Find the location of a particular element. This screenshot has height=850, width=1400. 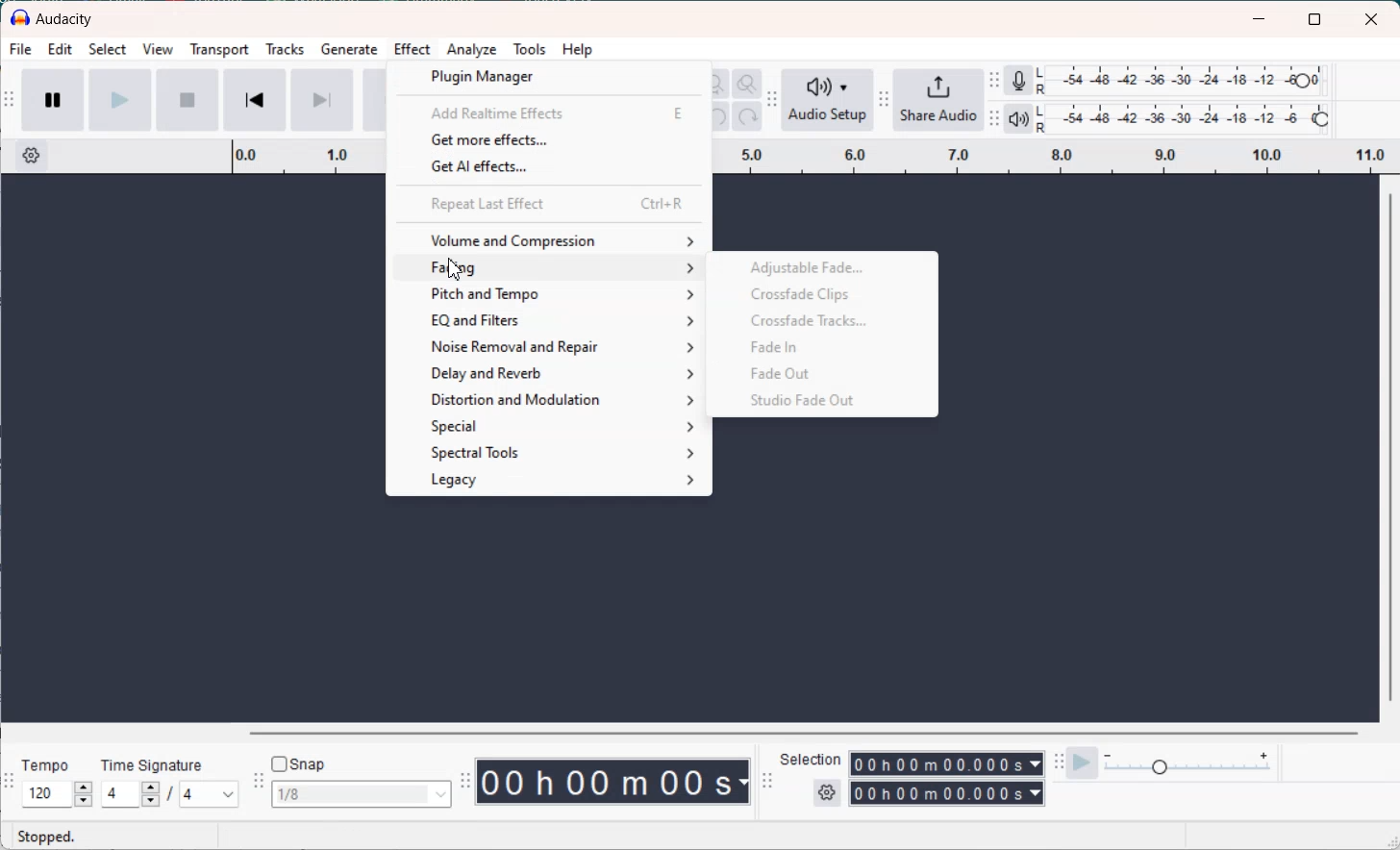

Zoom toggle is located at coordinates (748, 84).